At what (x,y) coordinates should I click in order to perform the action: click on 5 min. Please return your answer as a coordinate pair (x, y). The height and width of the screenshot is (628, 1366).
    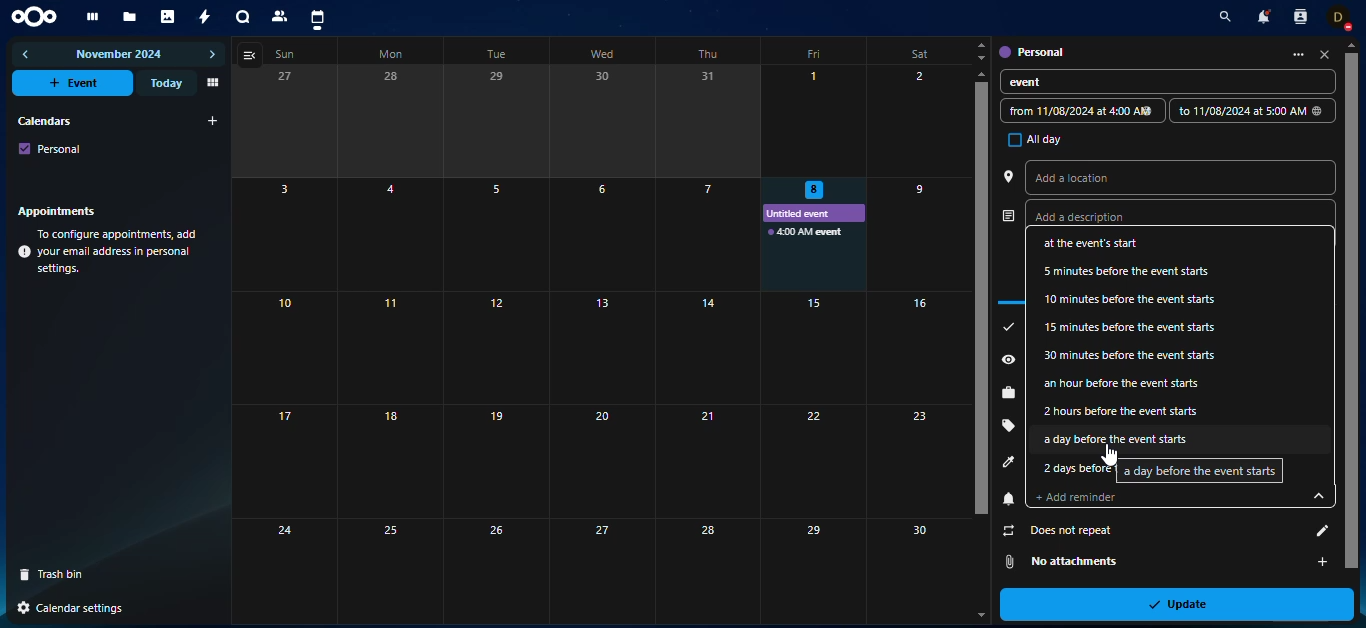
    Looking at the image, I should click on (1126, 271).